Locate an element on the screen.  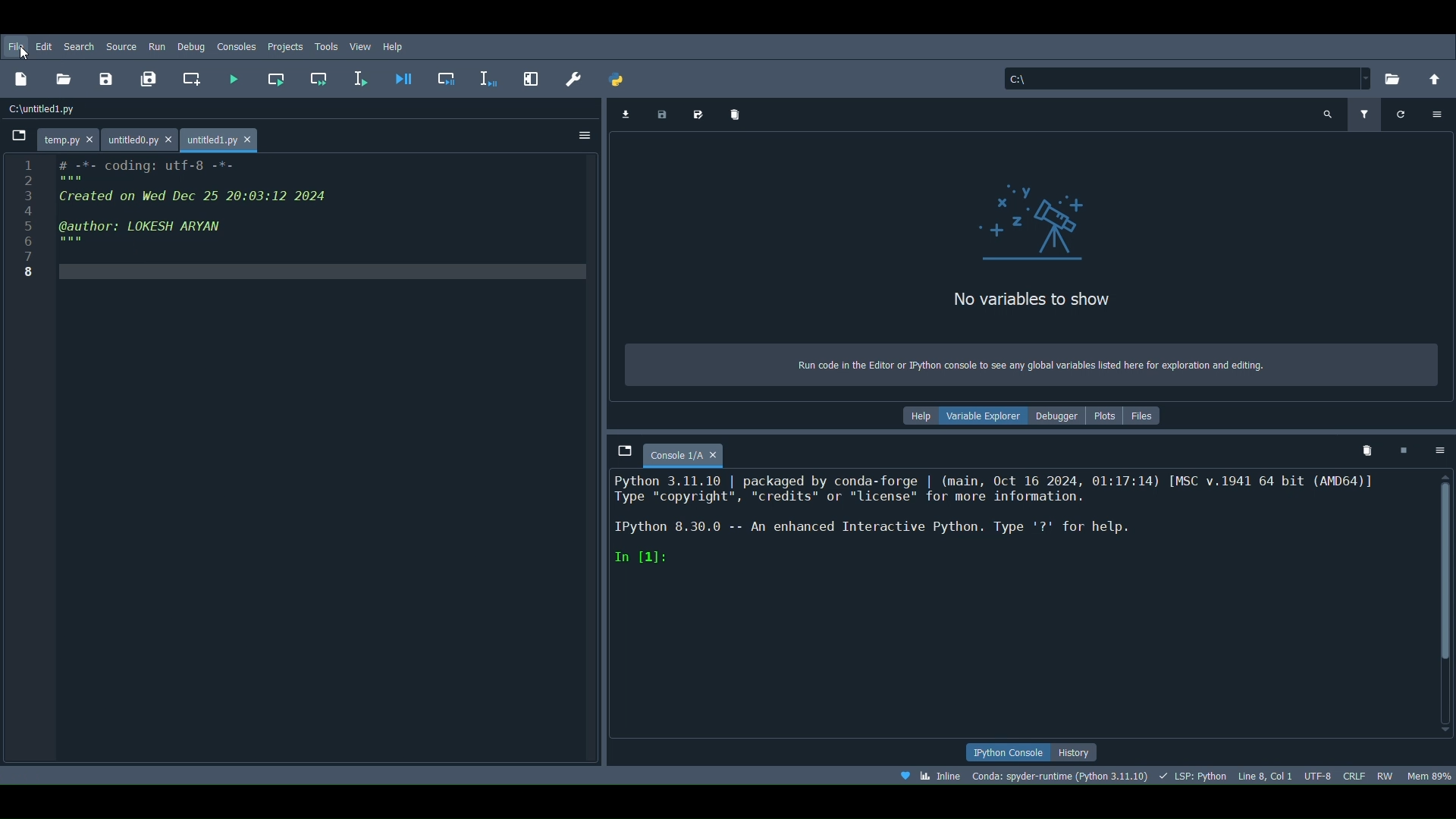
Edit is located at coordinates (44, 45).